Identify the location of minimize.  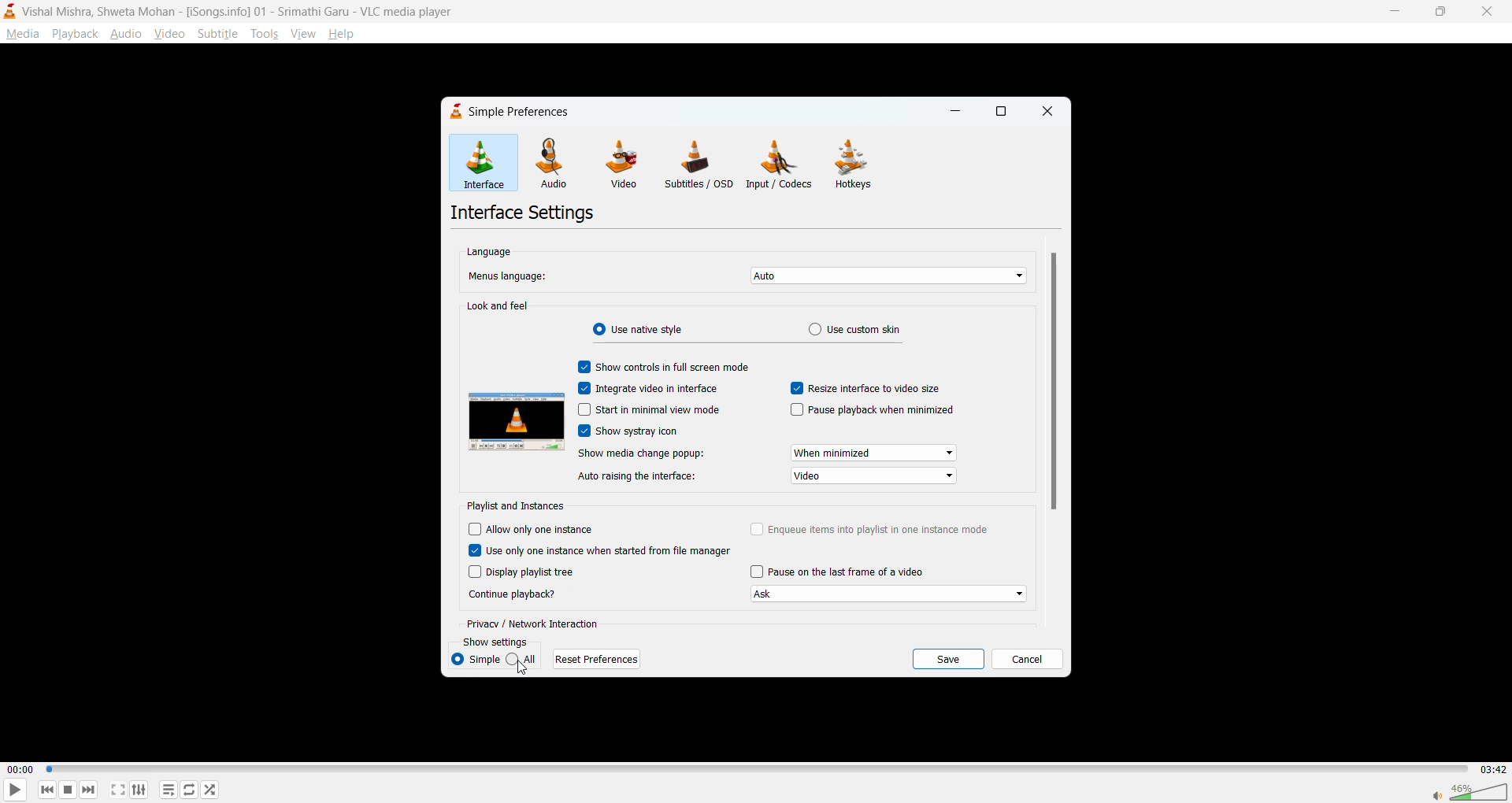
(954, 114).